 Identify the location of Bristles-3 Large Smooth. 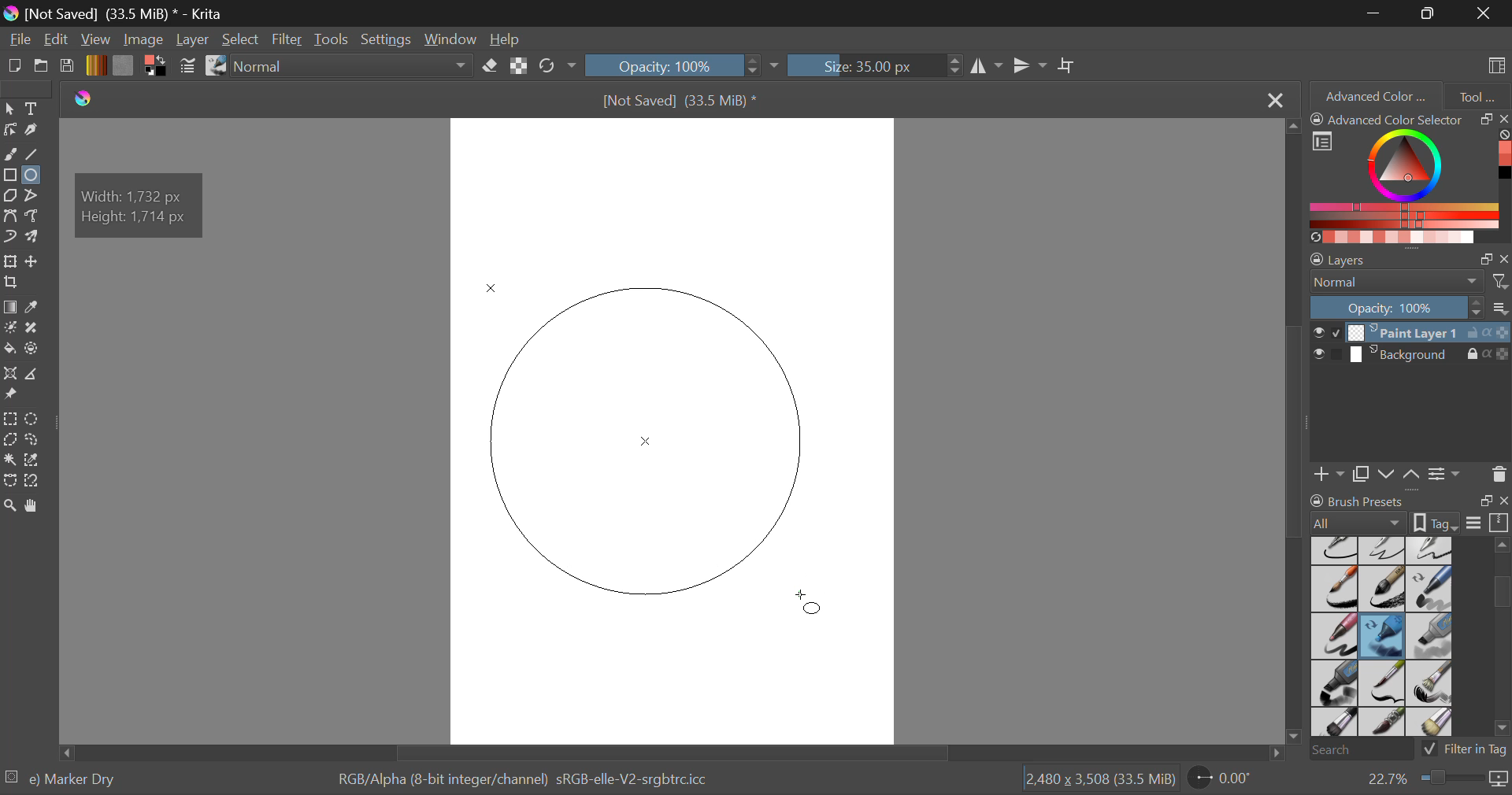
(1333, 723).